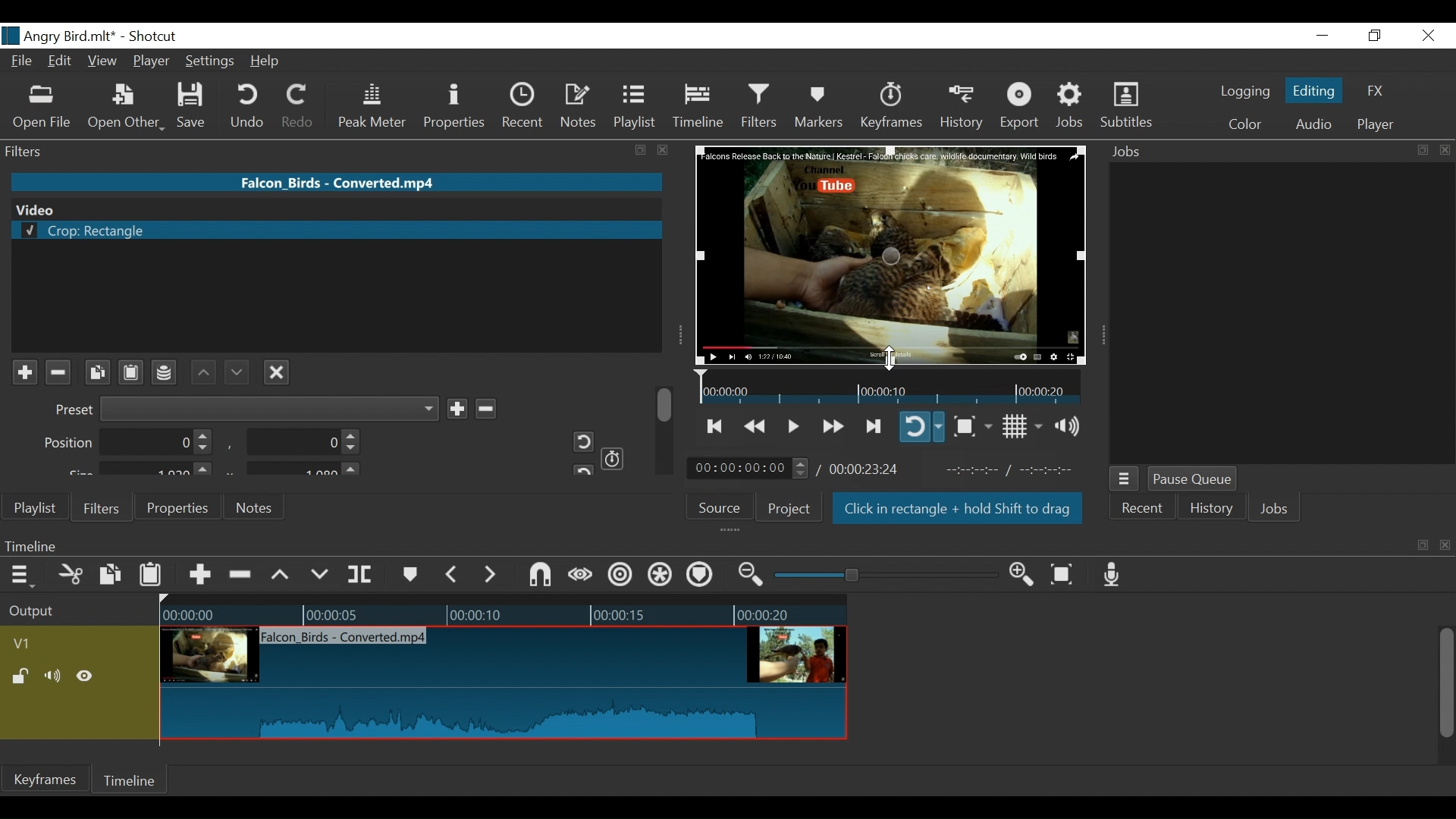  I want to click on Ripple all tracks, so click(661, 576).